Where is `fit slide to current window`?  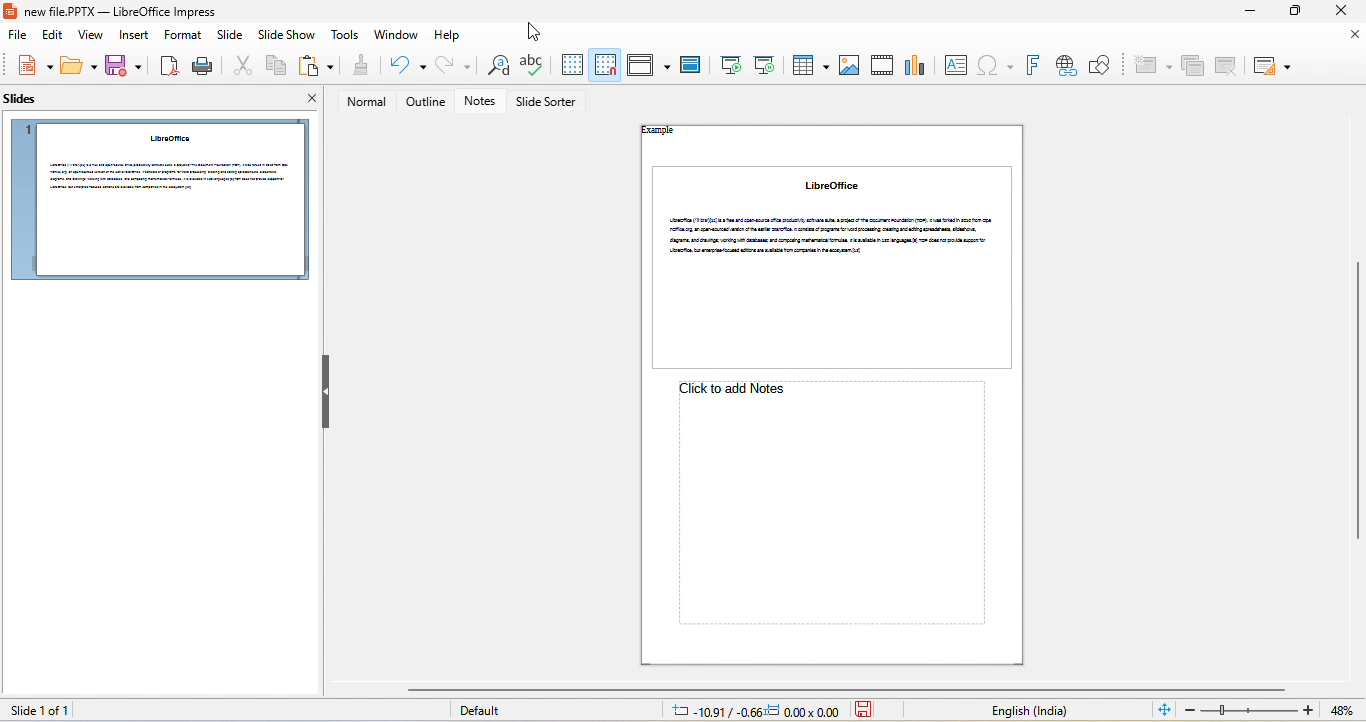 fit slide to current window is located at coordinates (1164, 709).